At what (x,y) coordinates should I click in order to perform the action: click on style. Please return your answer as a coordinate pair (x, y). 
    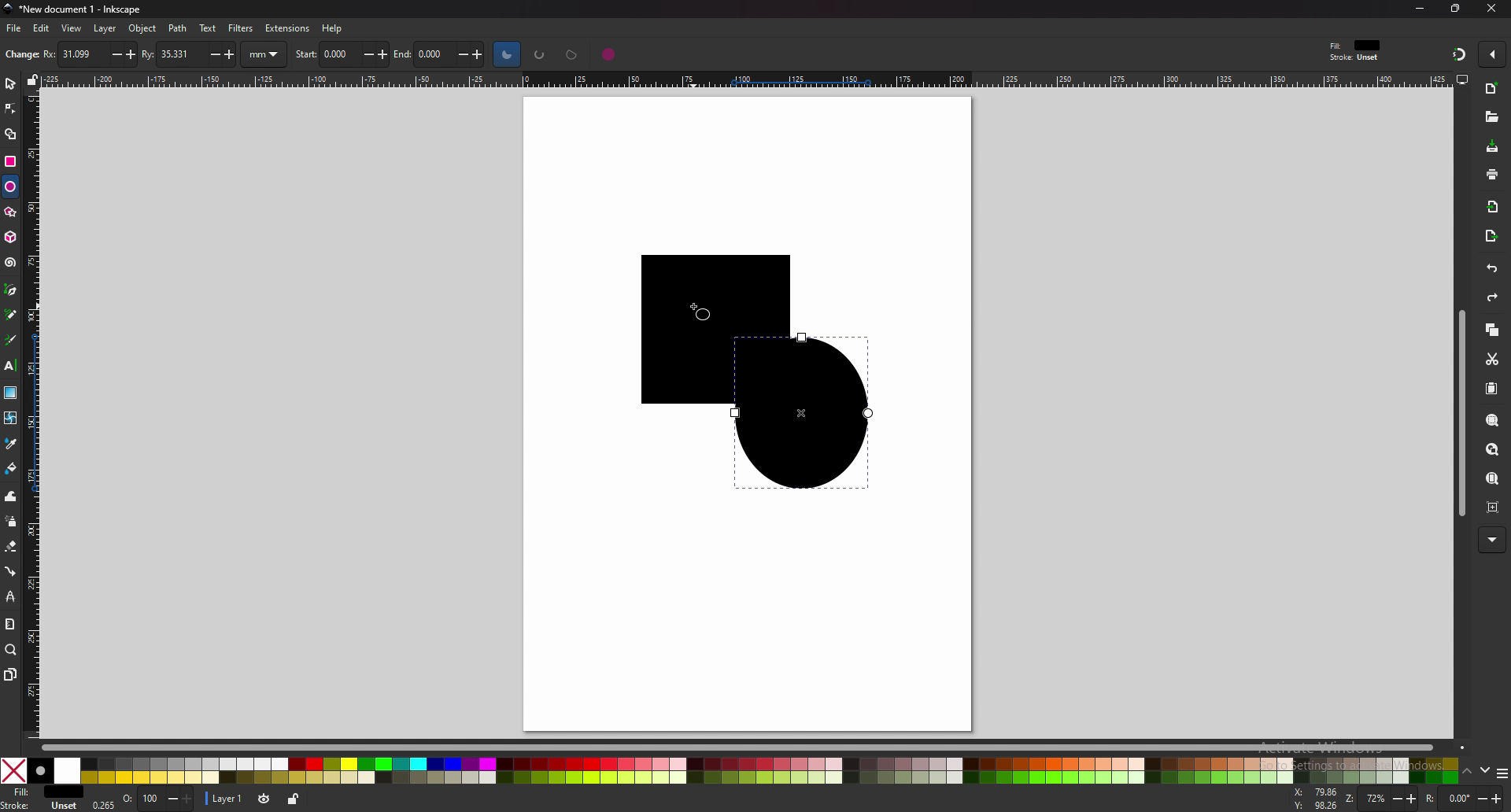
    Looking at the image, I should click on (1358, 50).